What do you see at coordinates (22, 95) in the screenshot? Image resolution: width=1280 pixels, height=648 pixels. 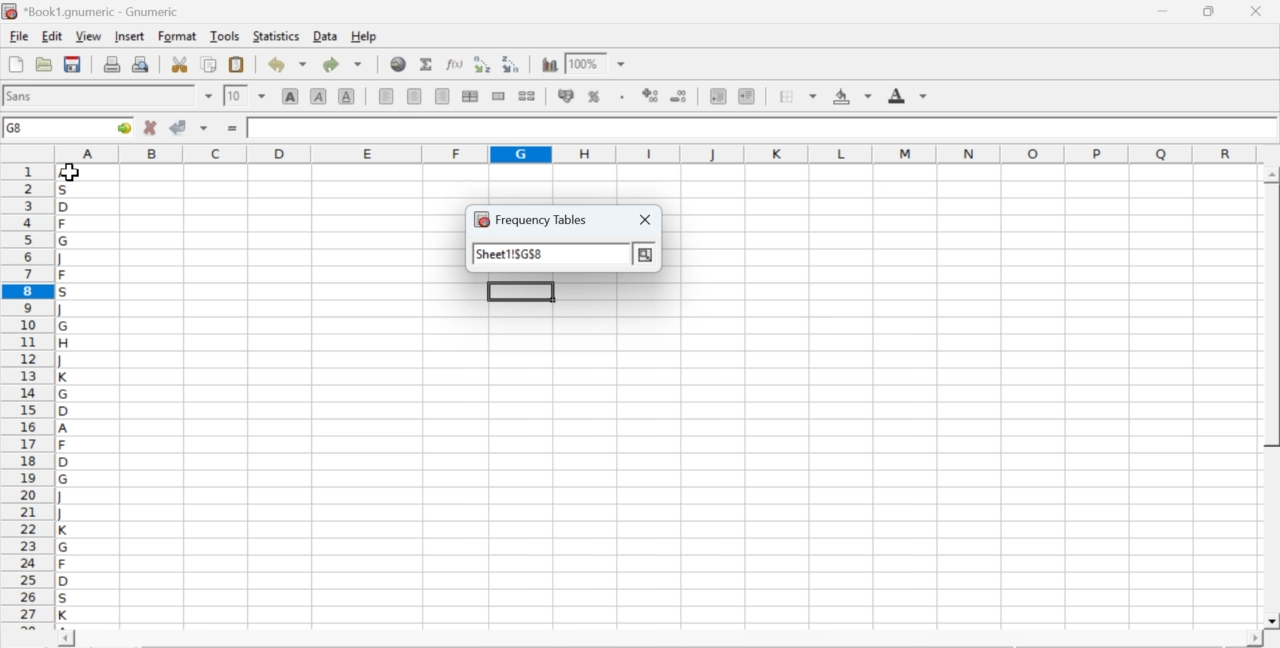 I see `font` at bounding box center [22, 95].